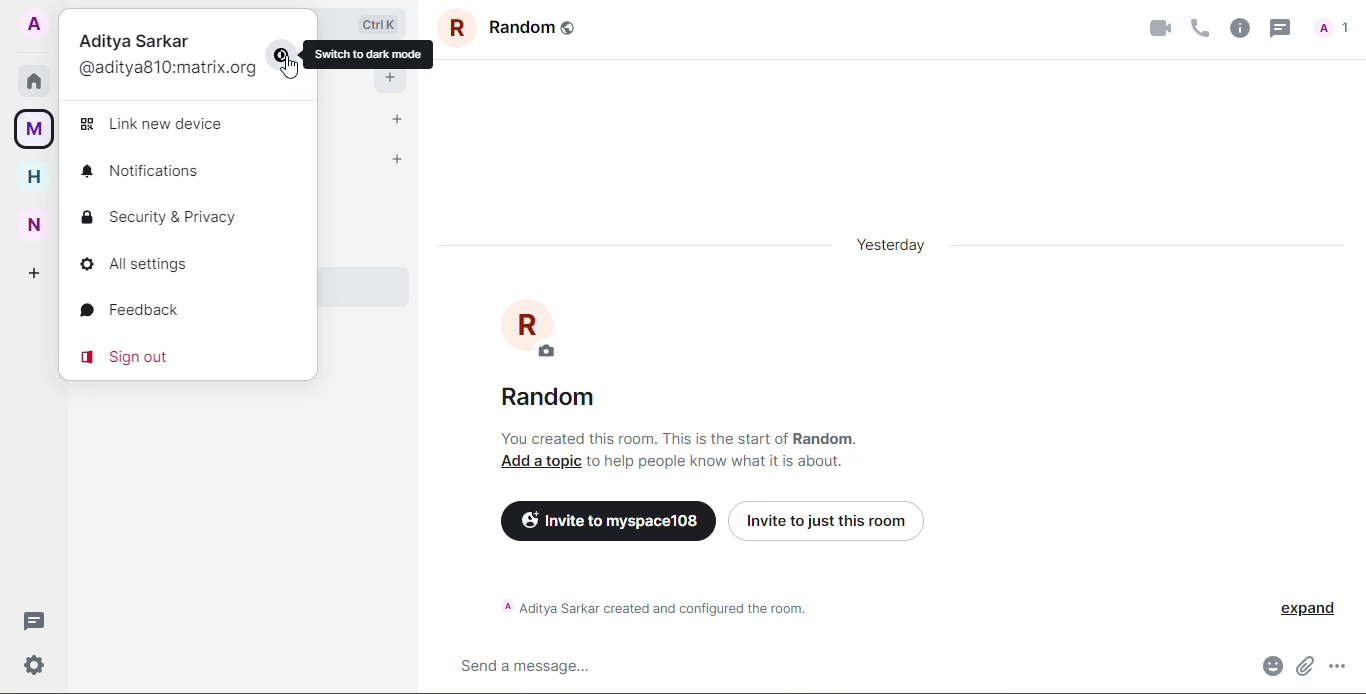 Image resolution: width=1366 pixels, height=694 pixels. I want to click on switch to dark mode, so click(282, 52).